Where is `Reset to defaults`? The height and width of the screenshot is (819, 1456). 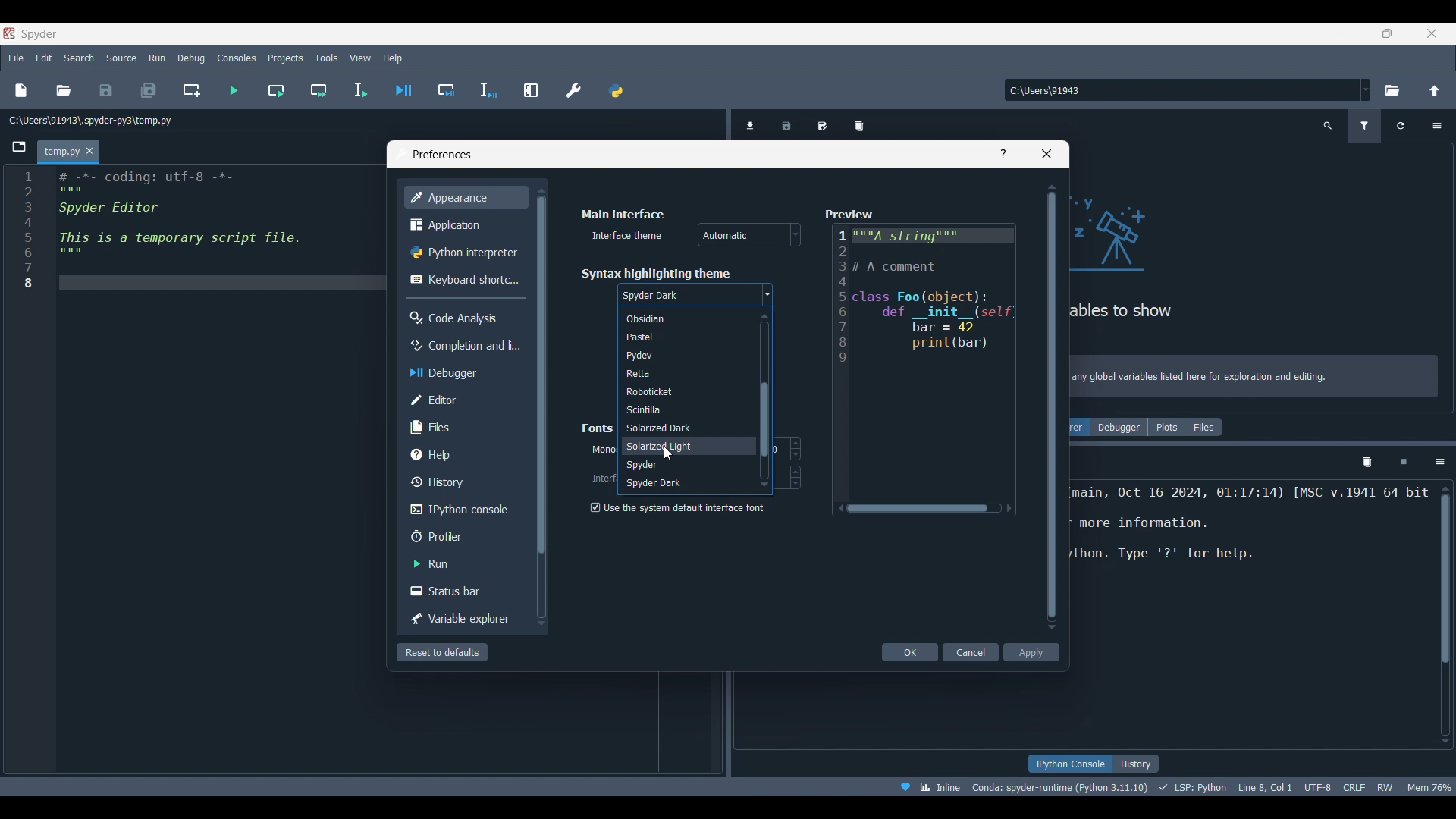 Reset to defaults is located at coordinates (442, 652).